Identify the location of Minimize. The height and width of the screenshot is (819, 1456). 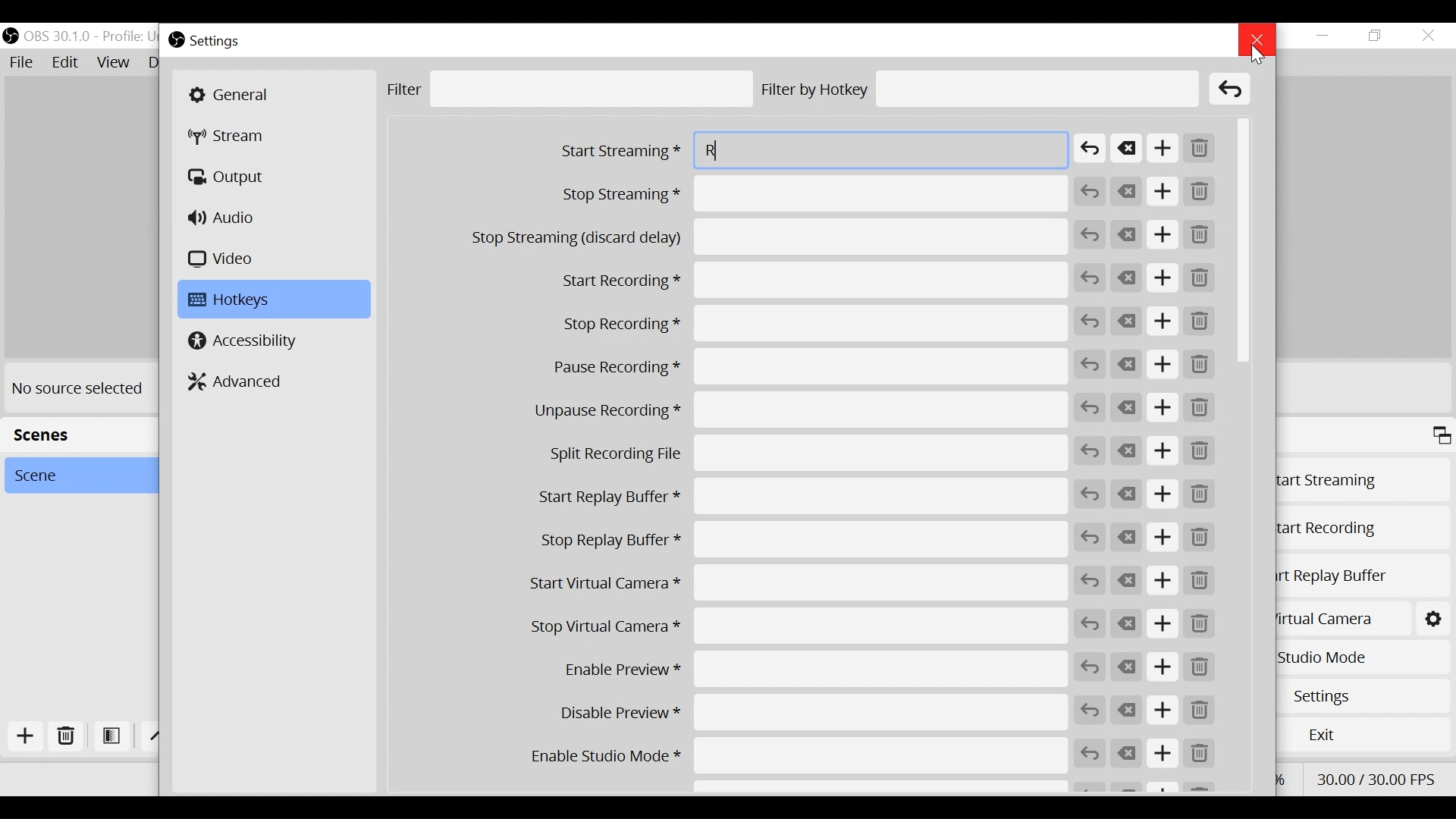
(1323, 36).